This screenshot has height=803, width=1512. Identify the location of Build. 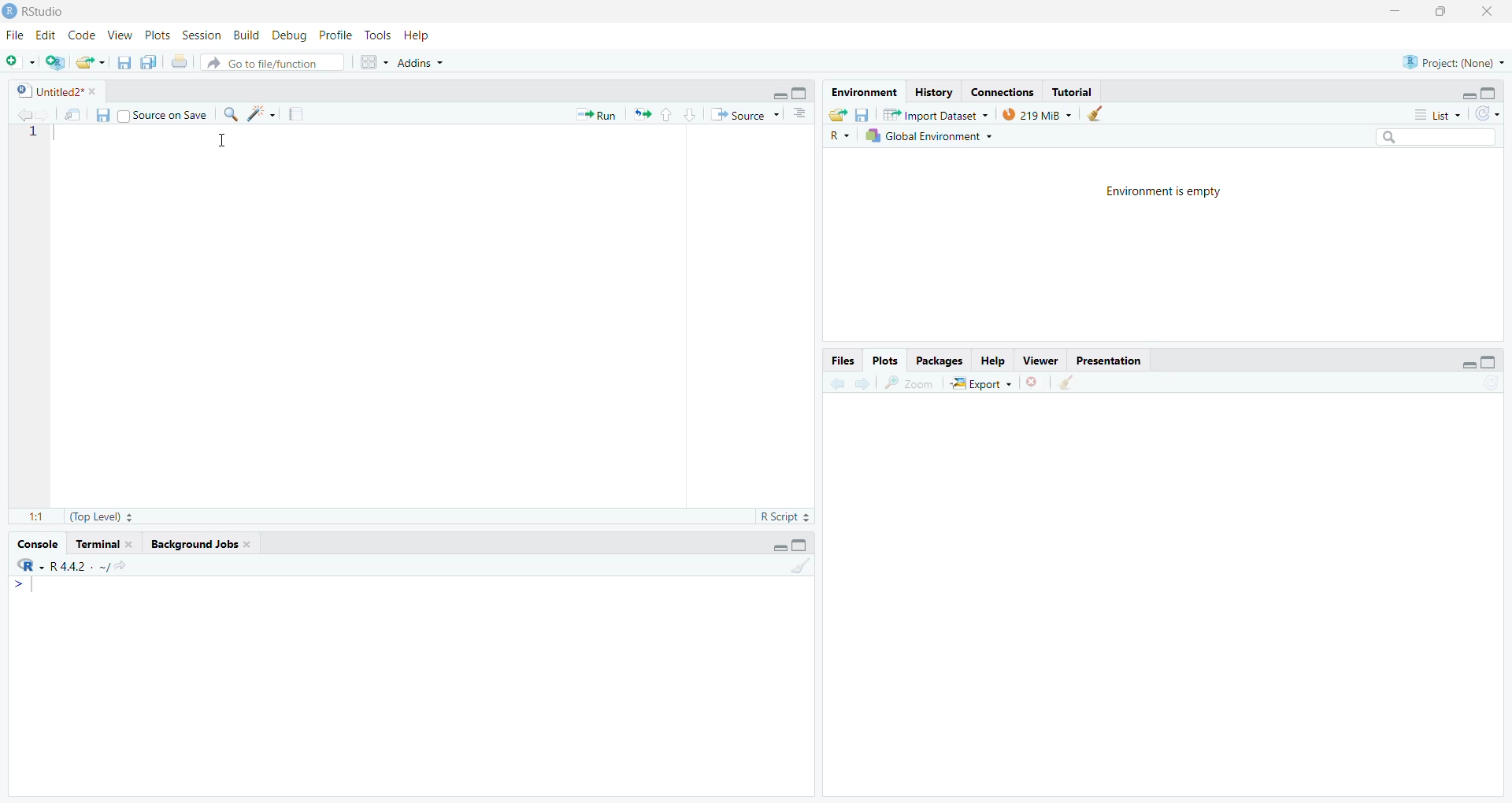
(247, 35).